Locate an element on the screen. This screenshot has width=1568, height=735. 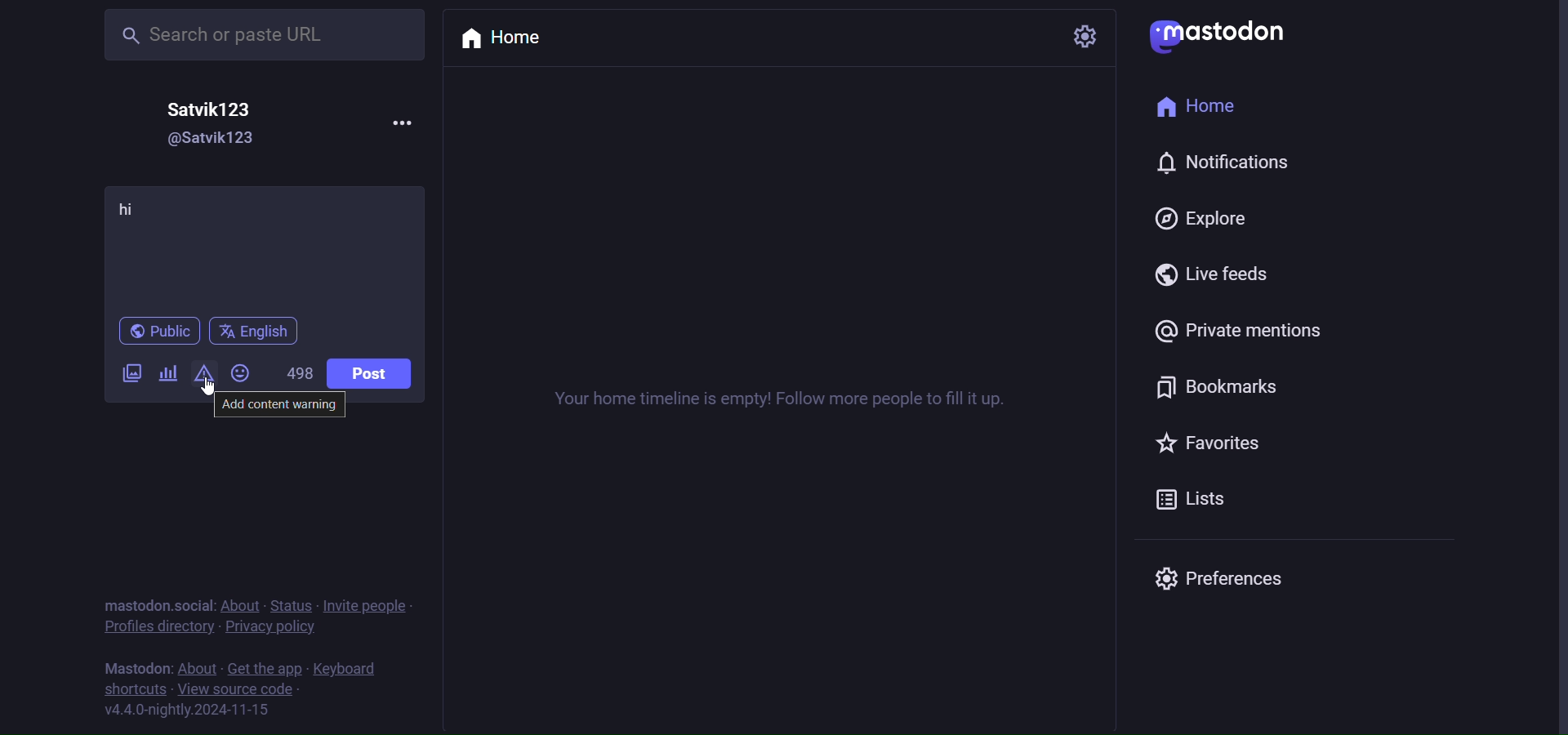
about is located at coordinates (244, 607).